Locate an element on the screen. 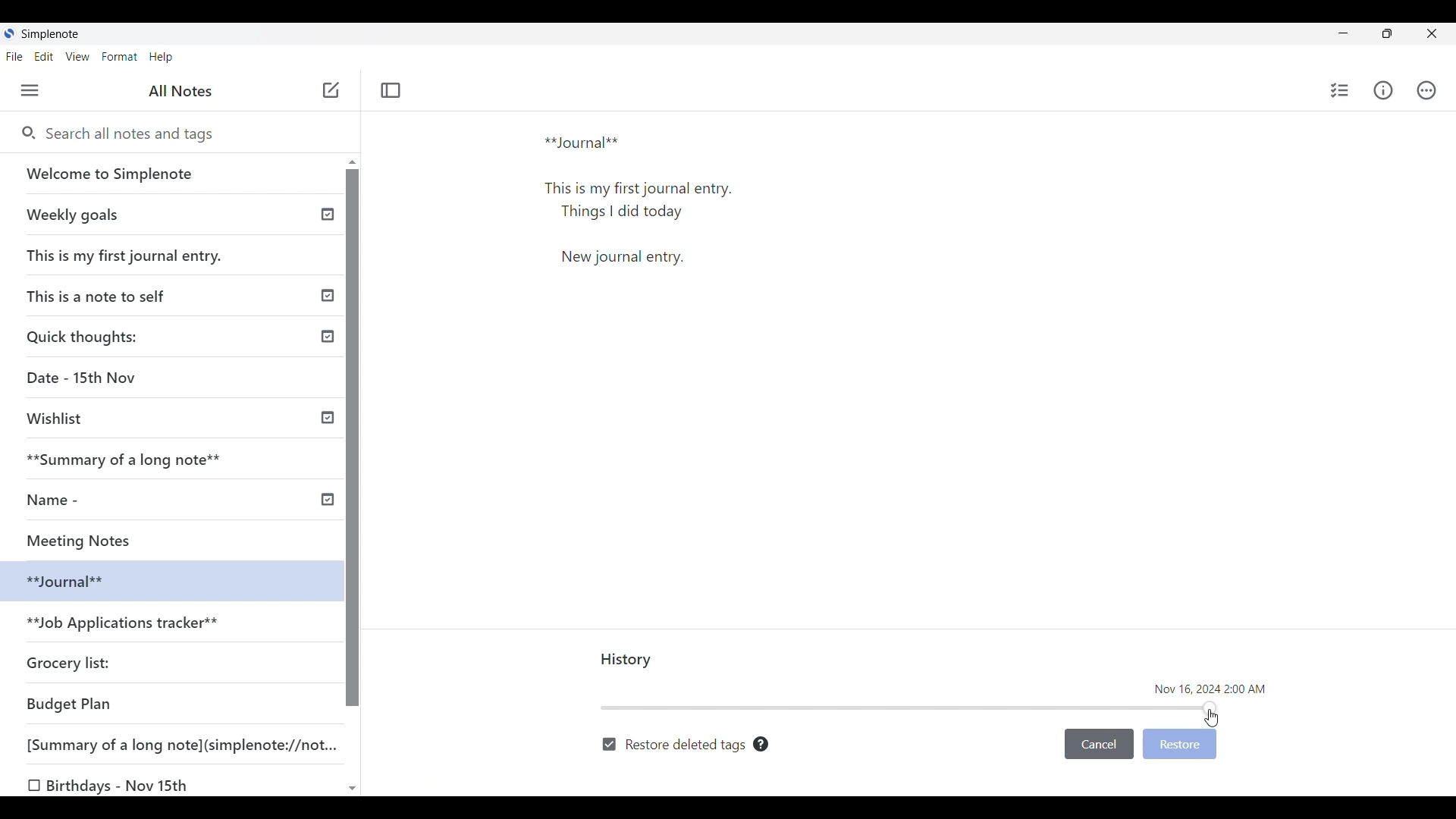  Quick thoughts: is located at coordinates (85, 336).